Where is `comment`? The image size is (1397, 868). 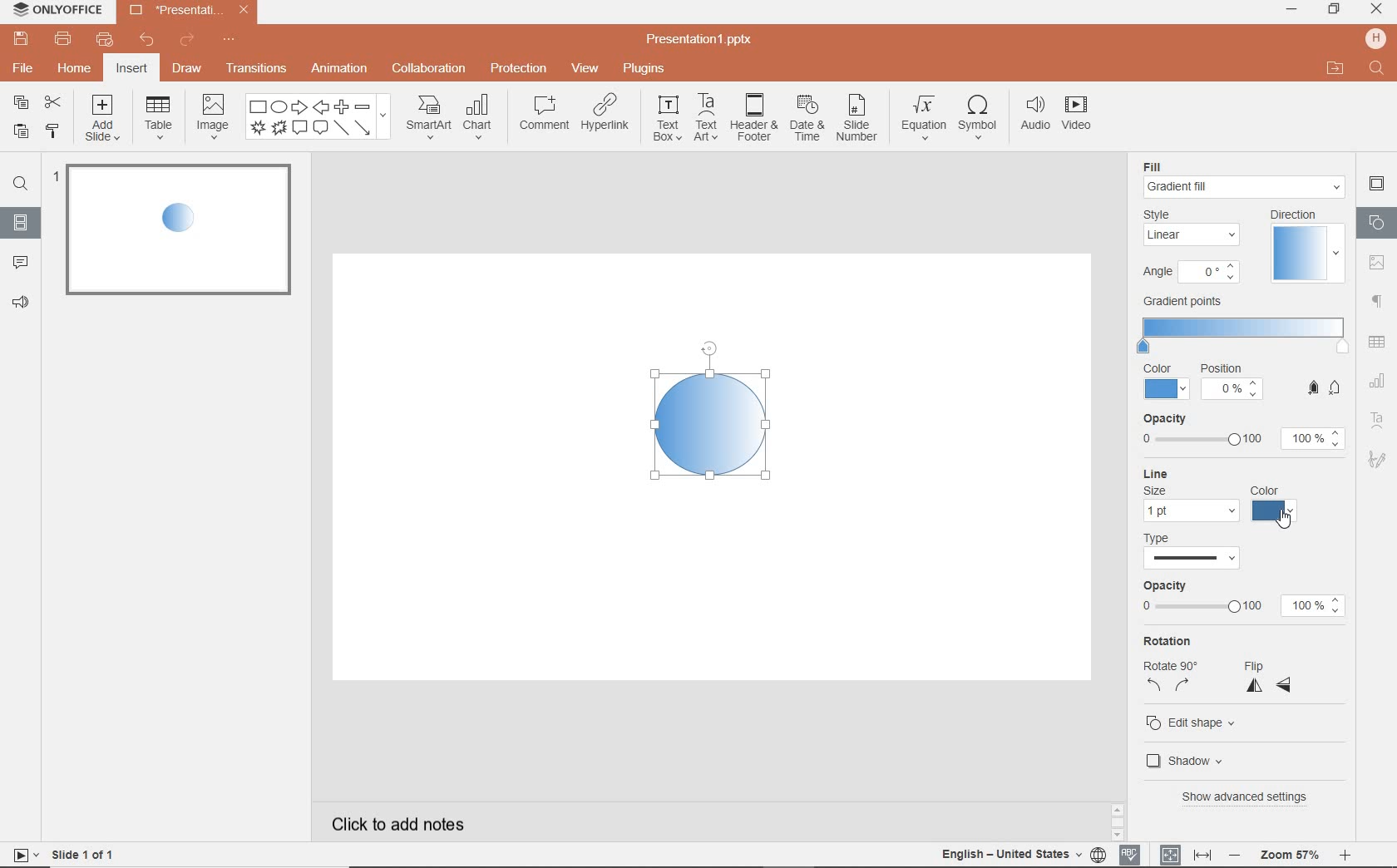 comment is located at coordinates (17, 263).